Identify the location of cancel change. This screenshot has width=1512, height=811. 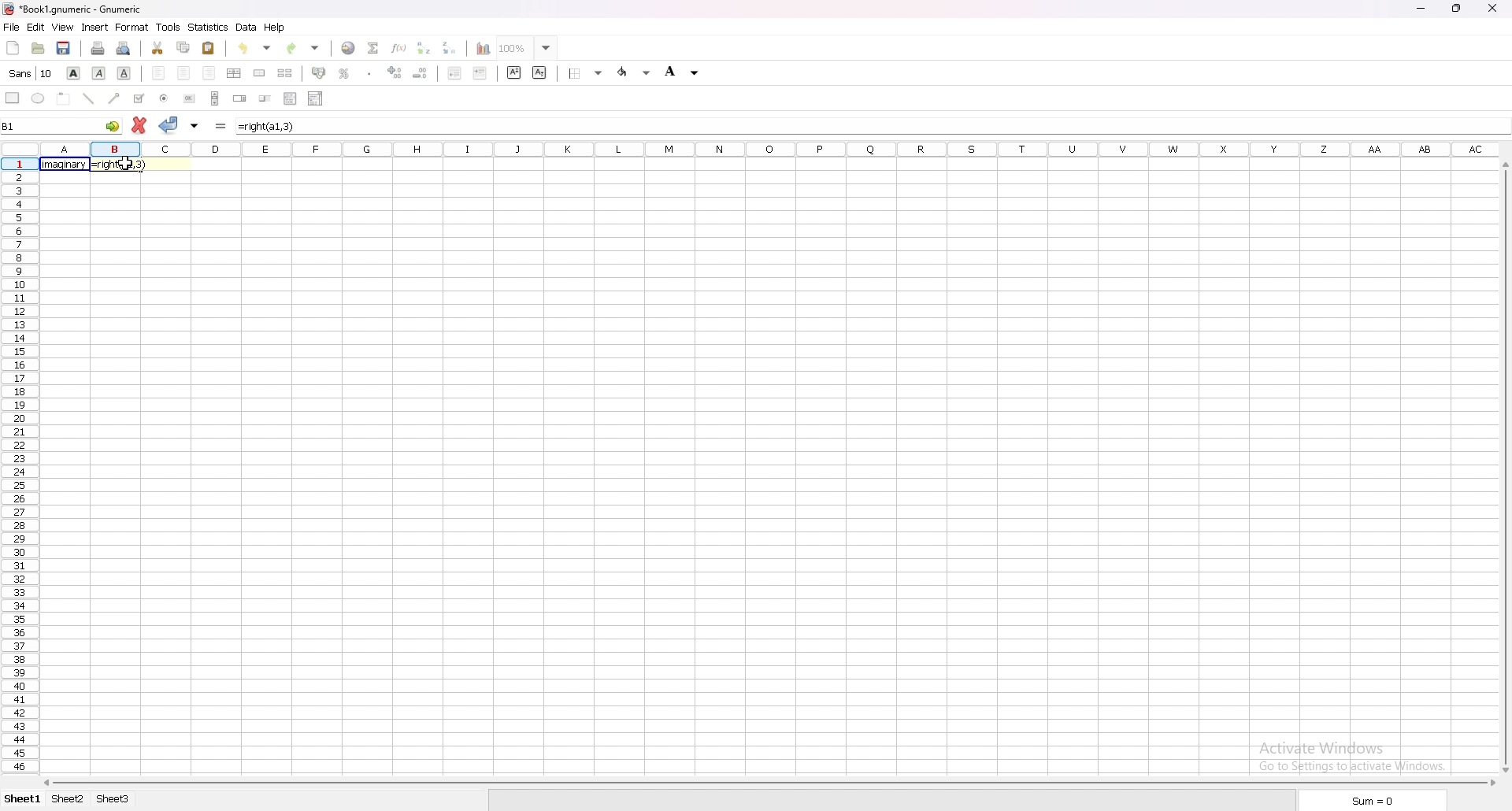
(139, 126).